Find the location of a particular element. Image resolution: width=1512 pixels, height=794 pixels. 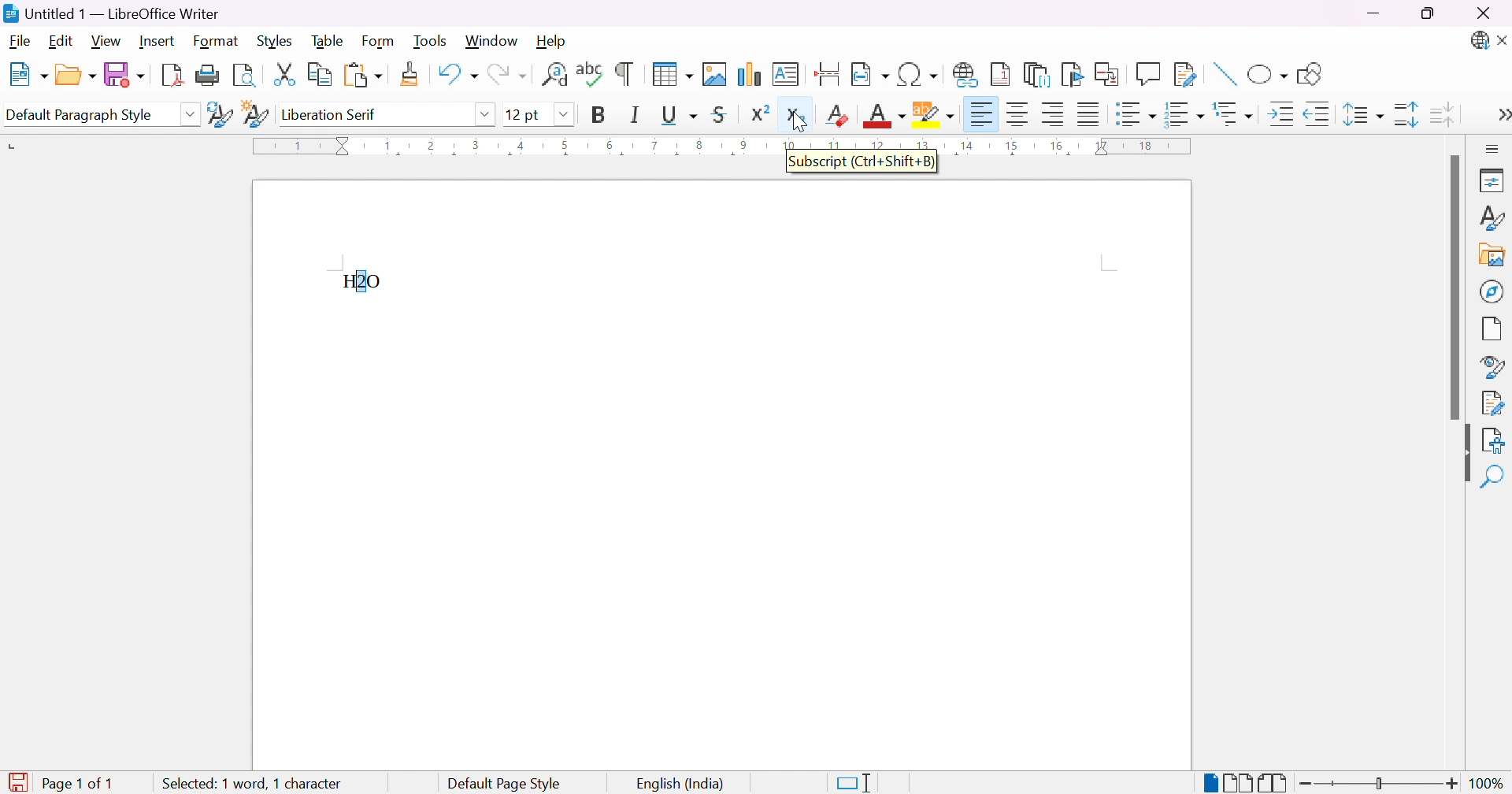

Subscript (Ctrl+Sift+B) is located at coordinates (863, 161).